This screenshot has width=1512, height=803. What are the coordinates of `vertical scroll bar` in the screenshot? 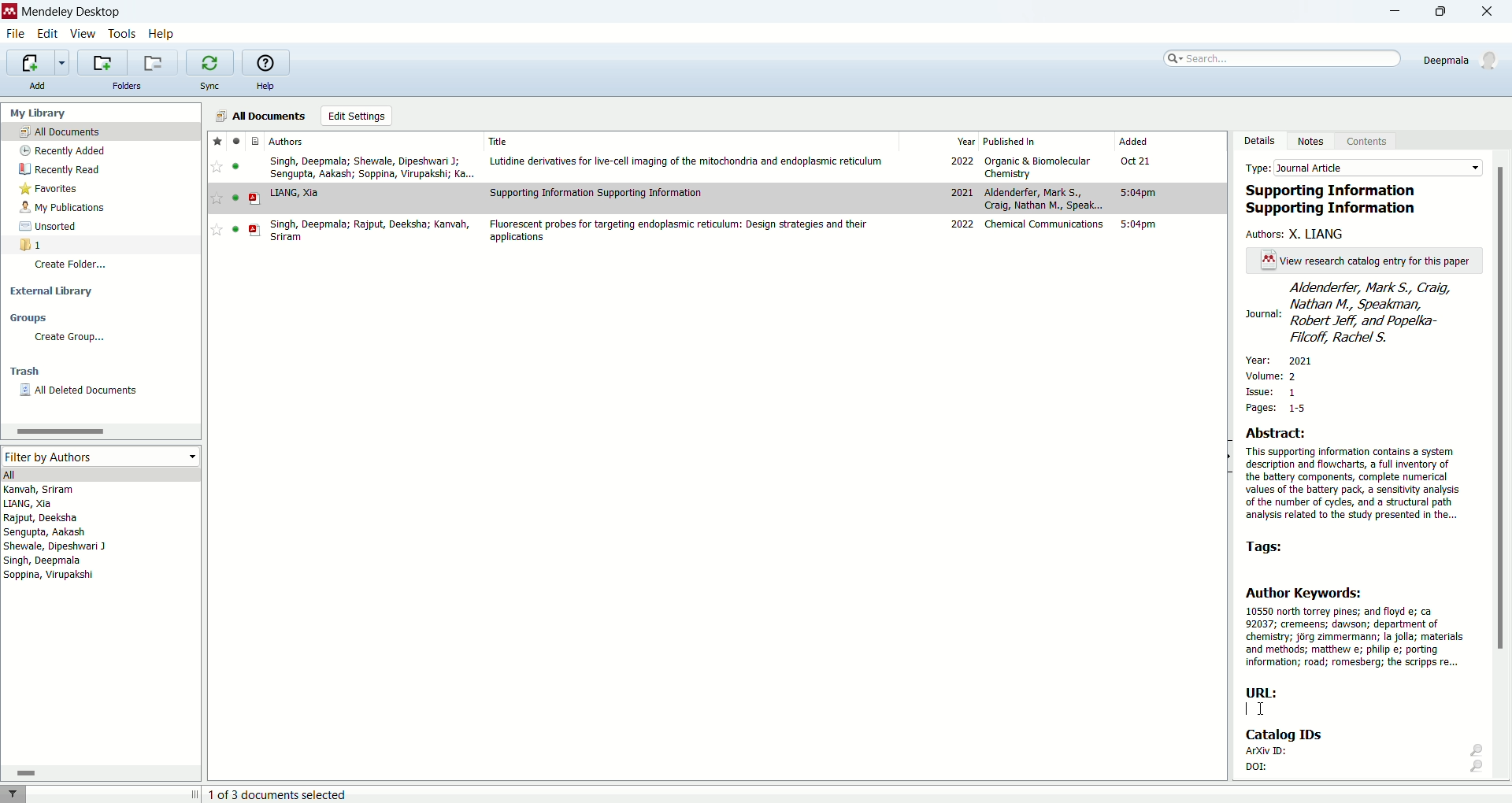 It's located at (1503, 469).